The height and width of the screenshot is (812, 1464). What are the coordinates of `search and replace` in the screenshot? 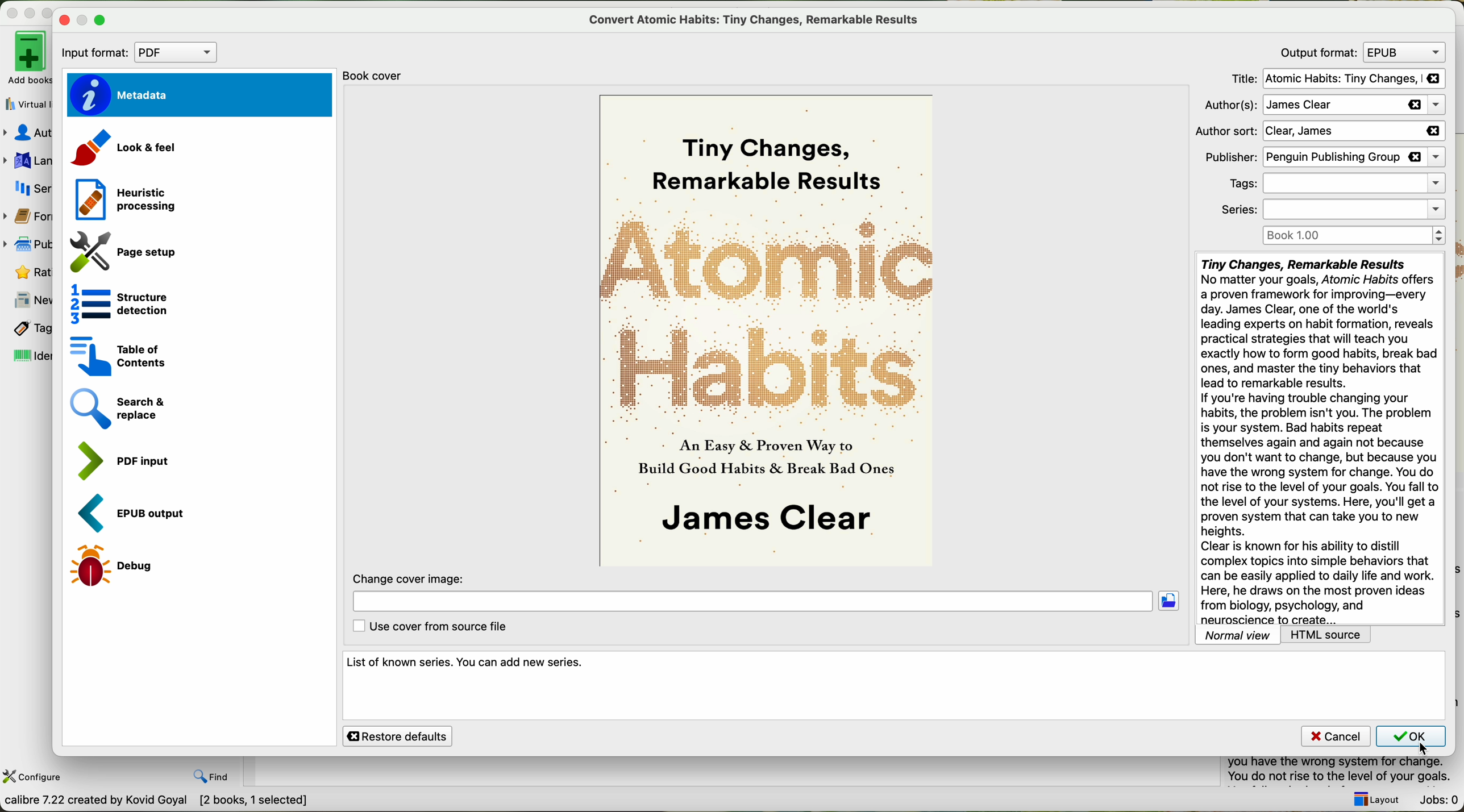 It's located at (117, 409).